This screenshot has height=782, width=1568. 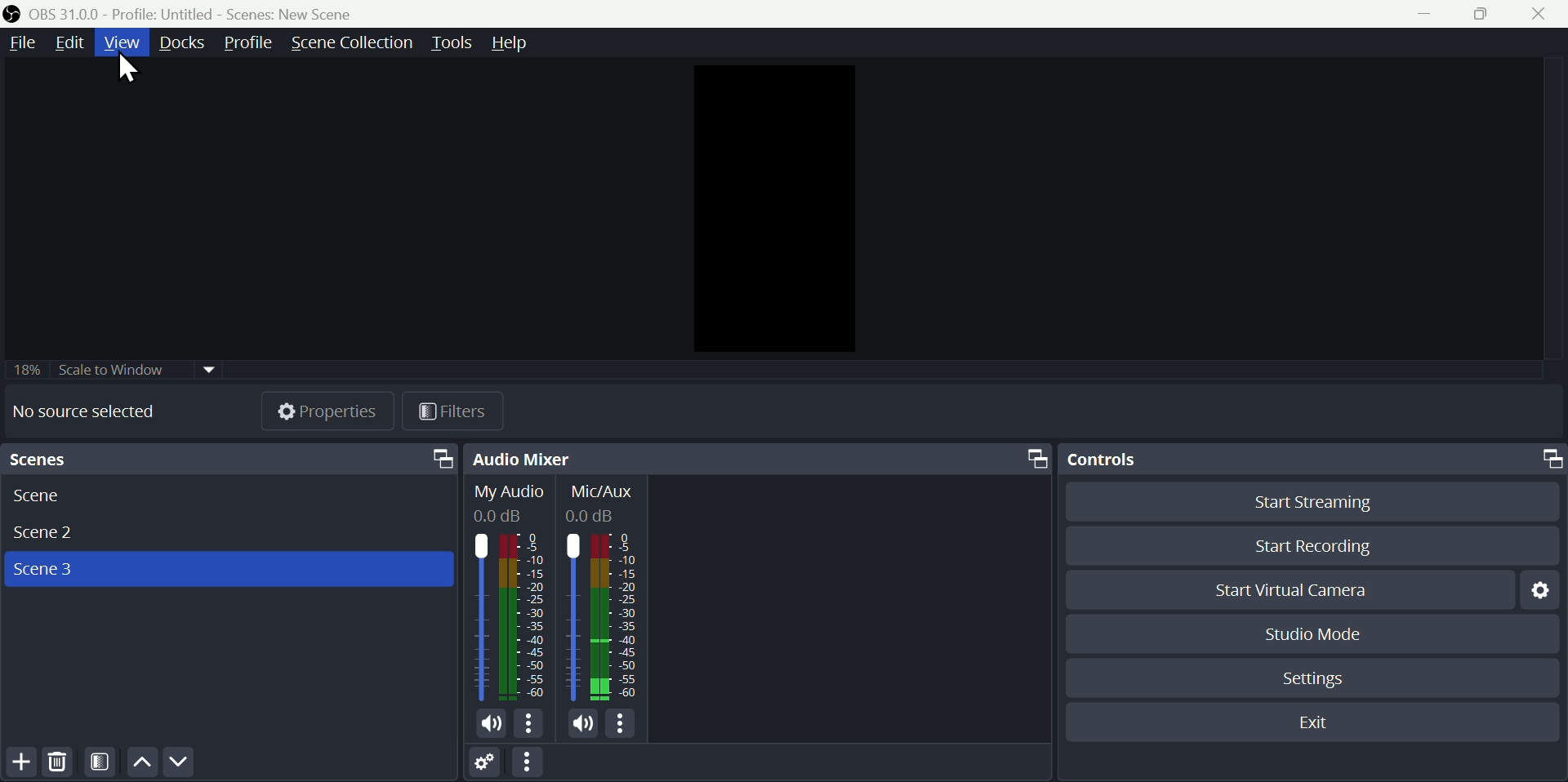 What do you see at coordinates (1311, 504) in the screenshot?
I see `Start streaming` at bounding box center [1311, 504].